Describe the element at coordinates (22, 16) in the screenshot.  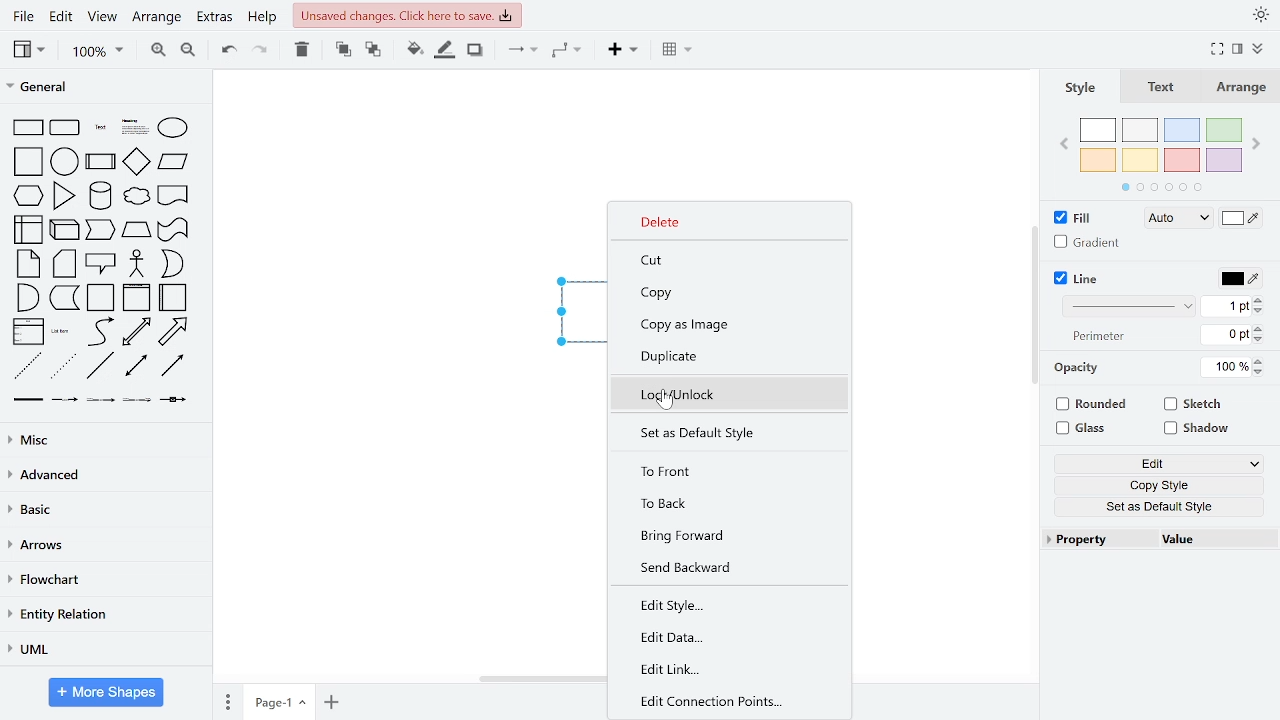
I see `file` at that location.